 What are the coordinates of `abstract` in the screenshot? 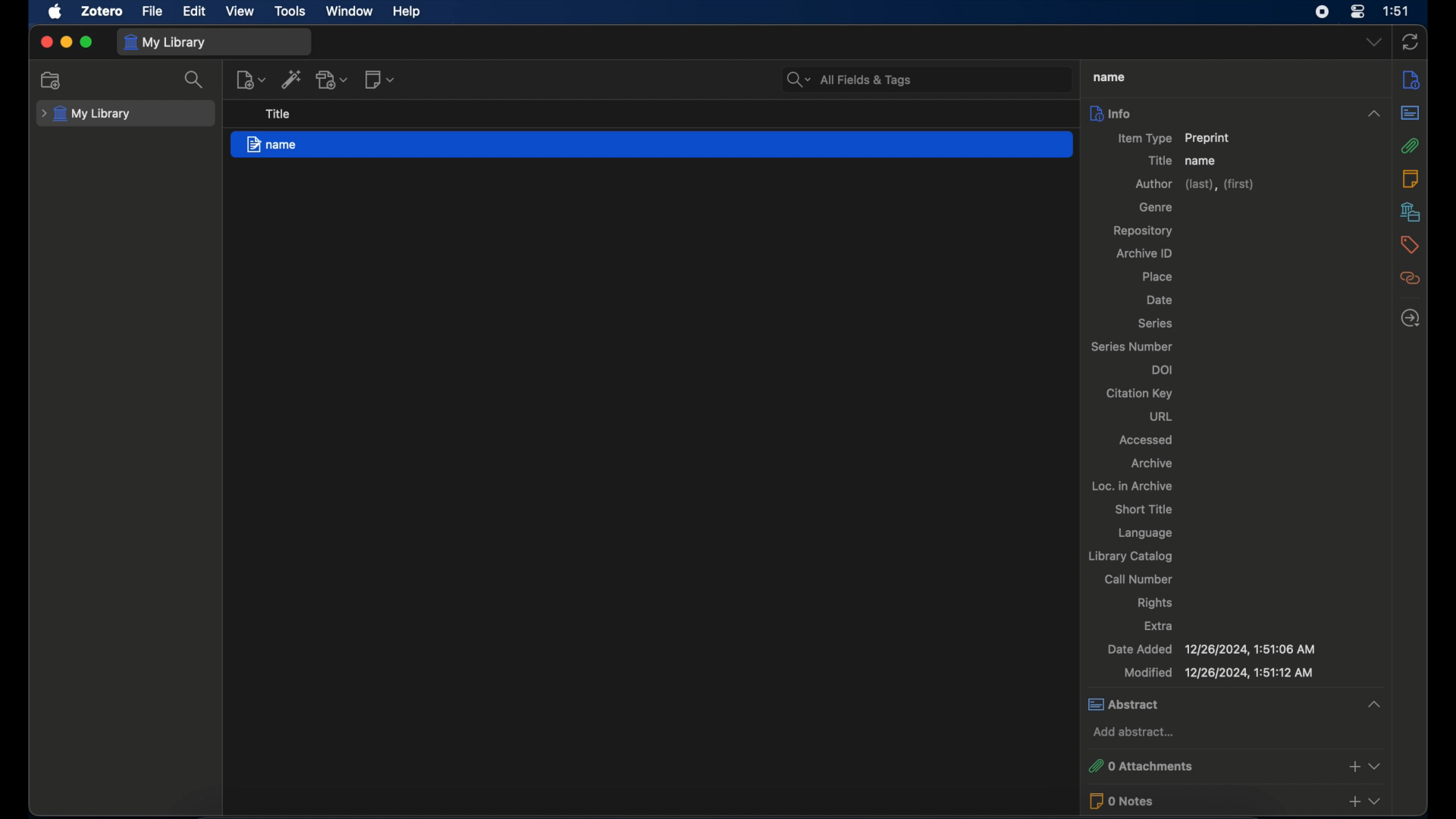 It's located at (1233, 704).